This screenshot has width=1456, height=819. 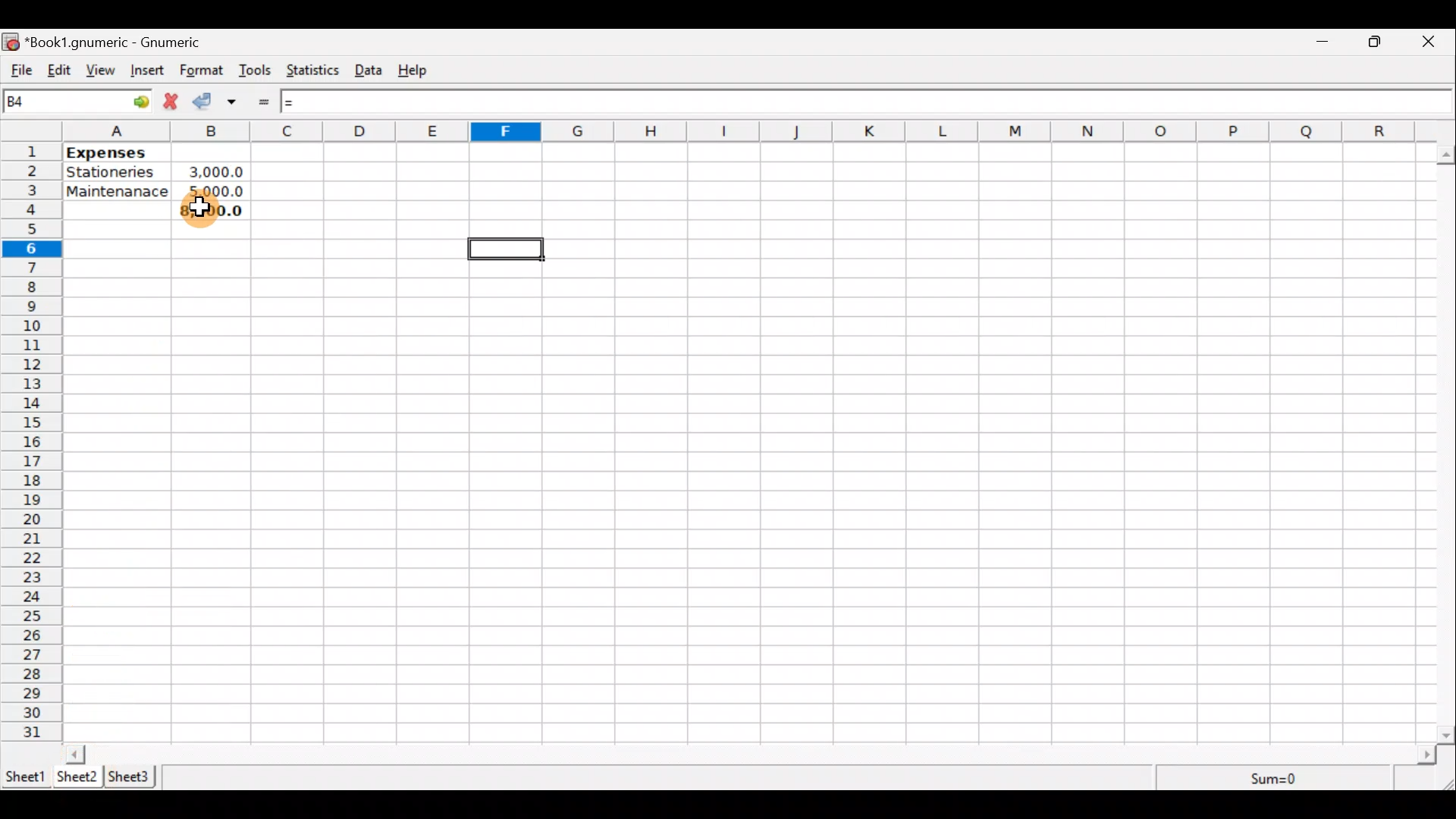 What do you see at coordinates (256, 71) in the screenshot?
I see `Tools` at bounding box center [256, 71].